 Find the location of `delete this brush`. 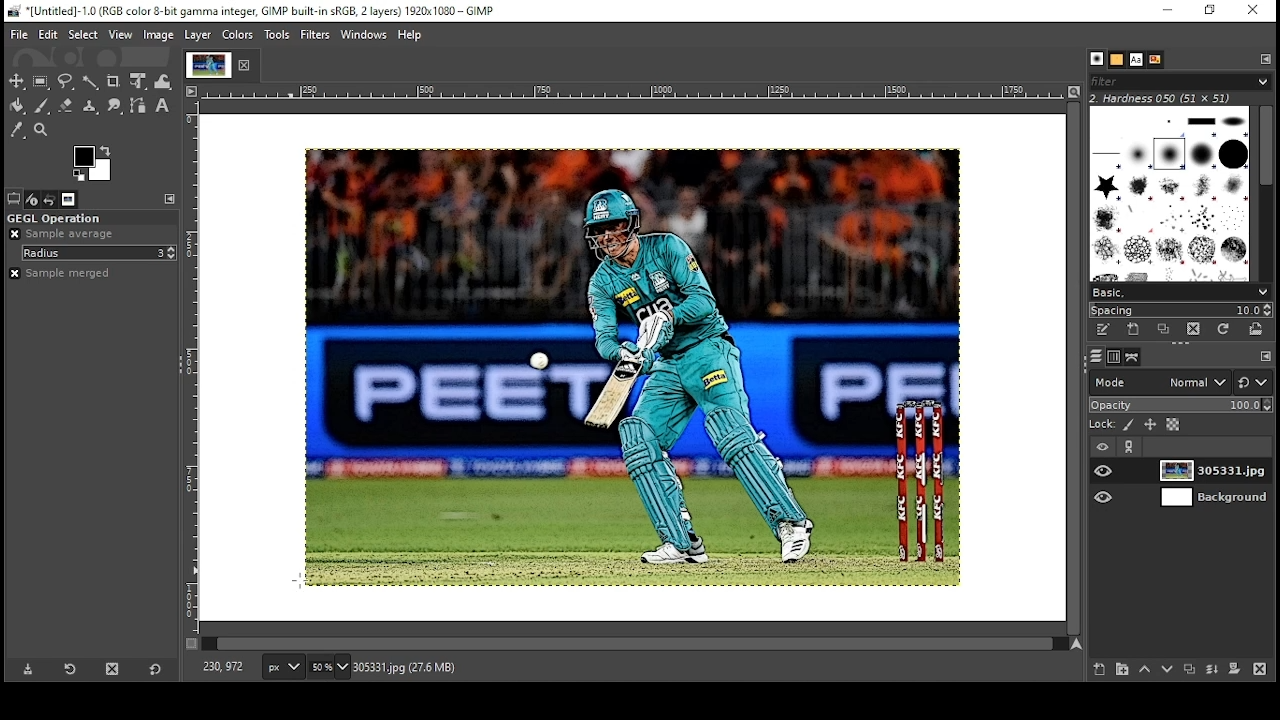

delete this brush is located at coordinates (1194, 328).